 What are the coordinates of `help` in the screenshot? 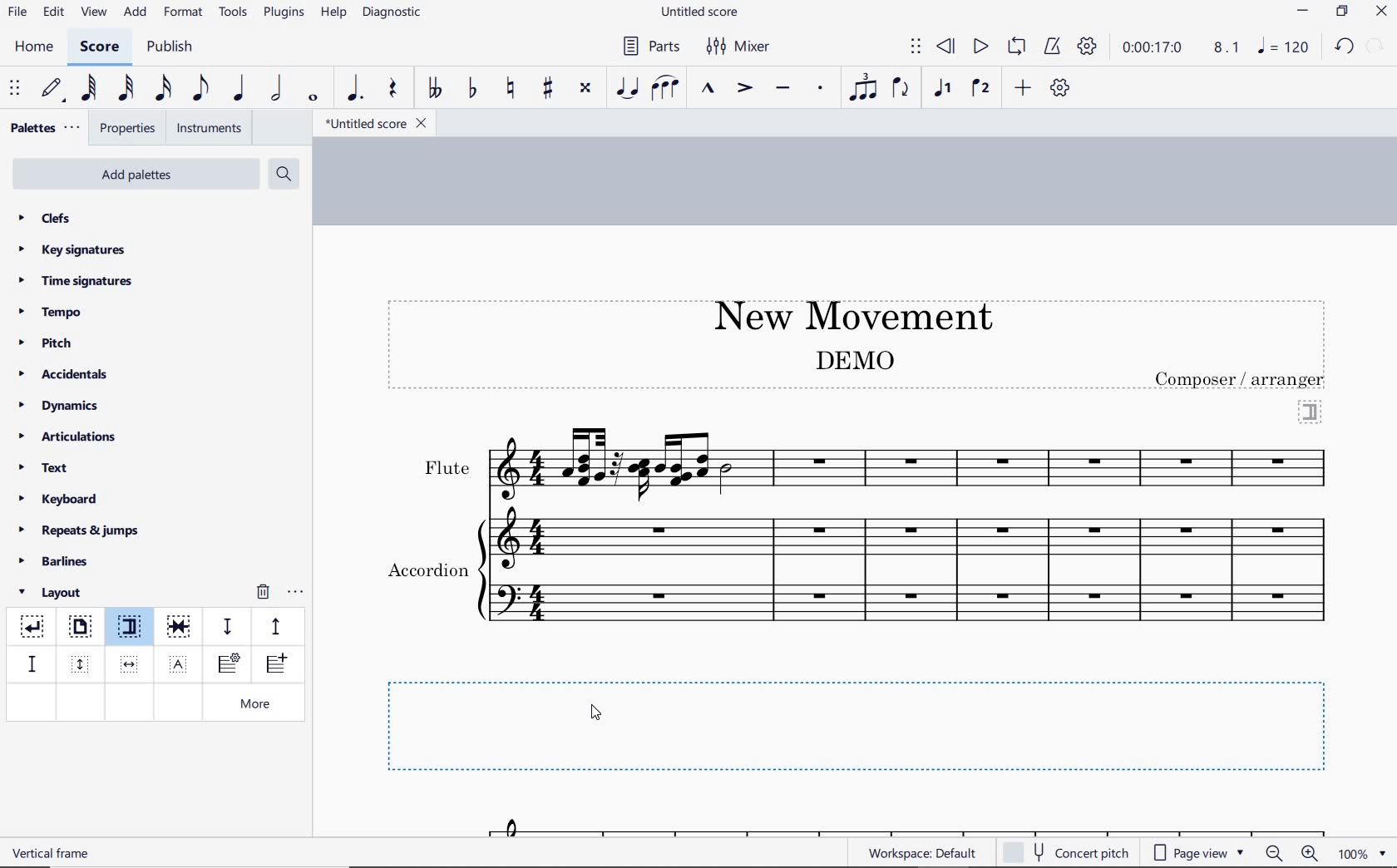 It's located at (332, 13).